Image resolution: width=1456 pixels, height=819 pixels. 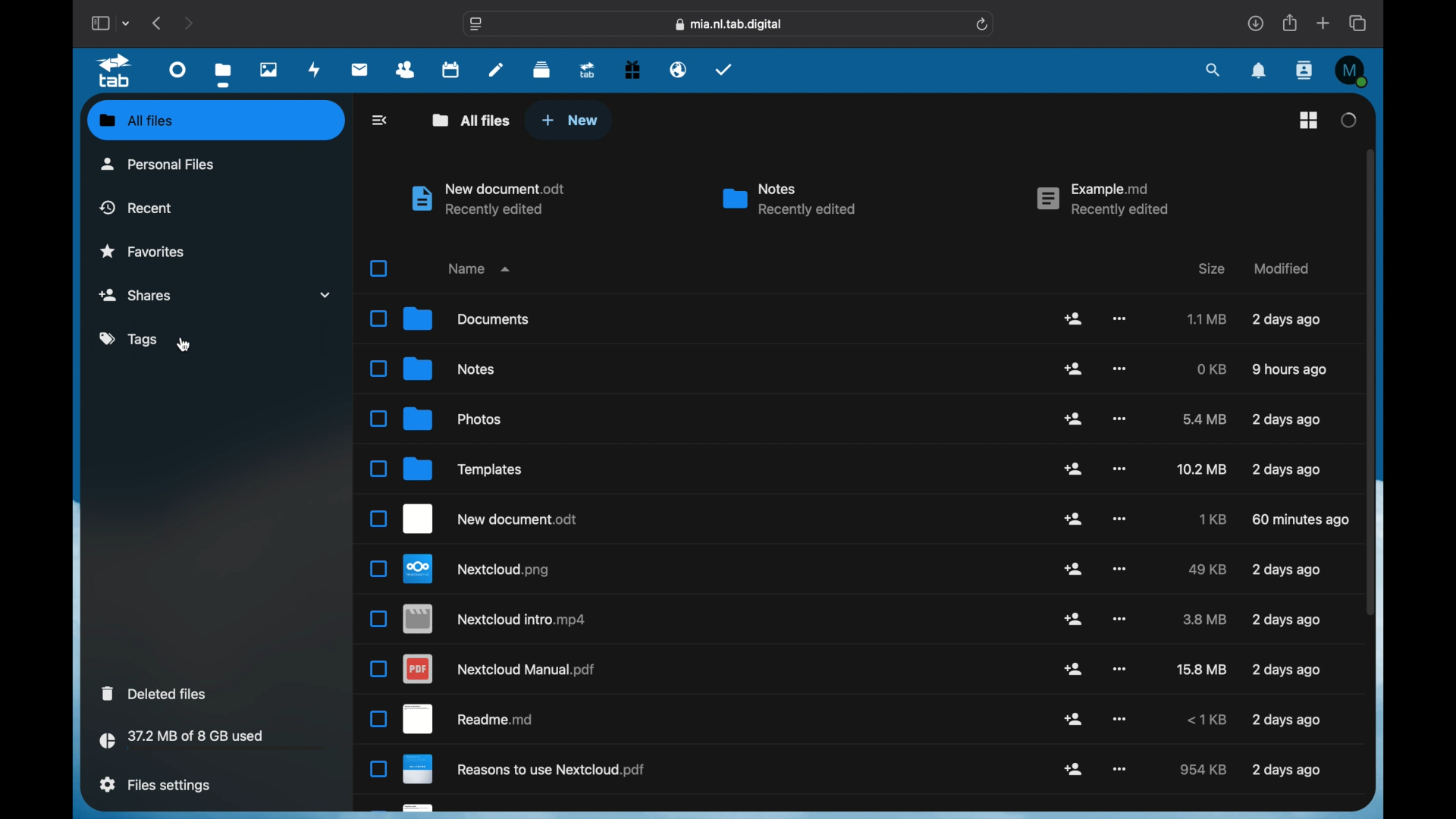 What do you see at coordinates (477, 268) in the screenshot?
I see `name` at bounding box center [477, 268].